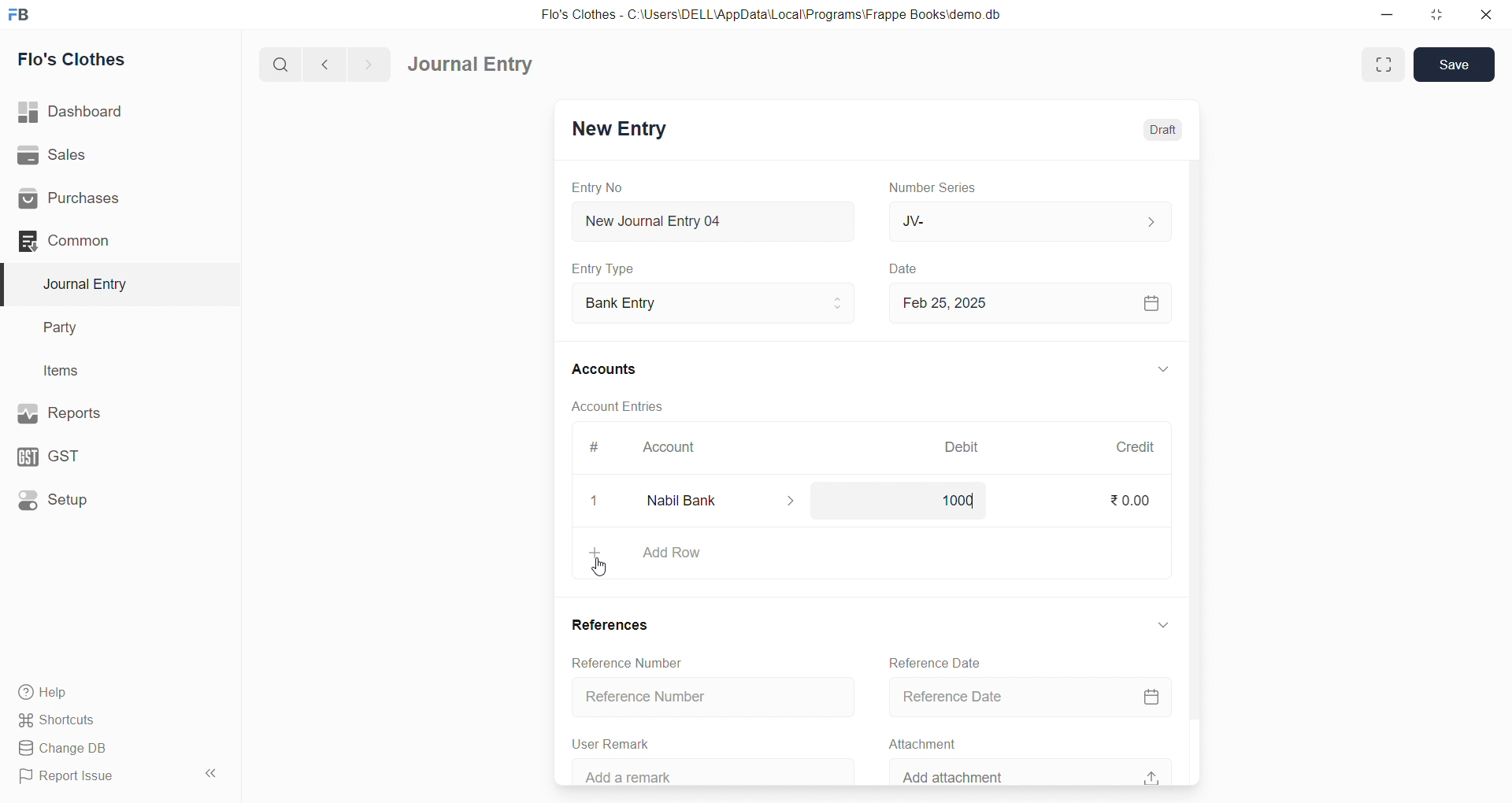  What do you see at coordinates (665, 450) in the screenshot?
I see `Account` at bounding box center [665, 450].